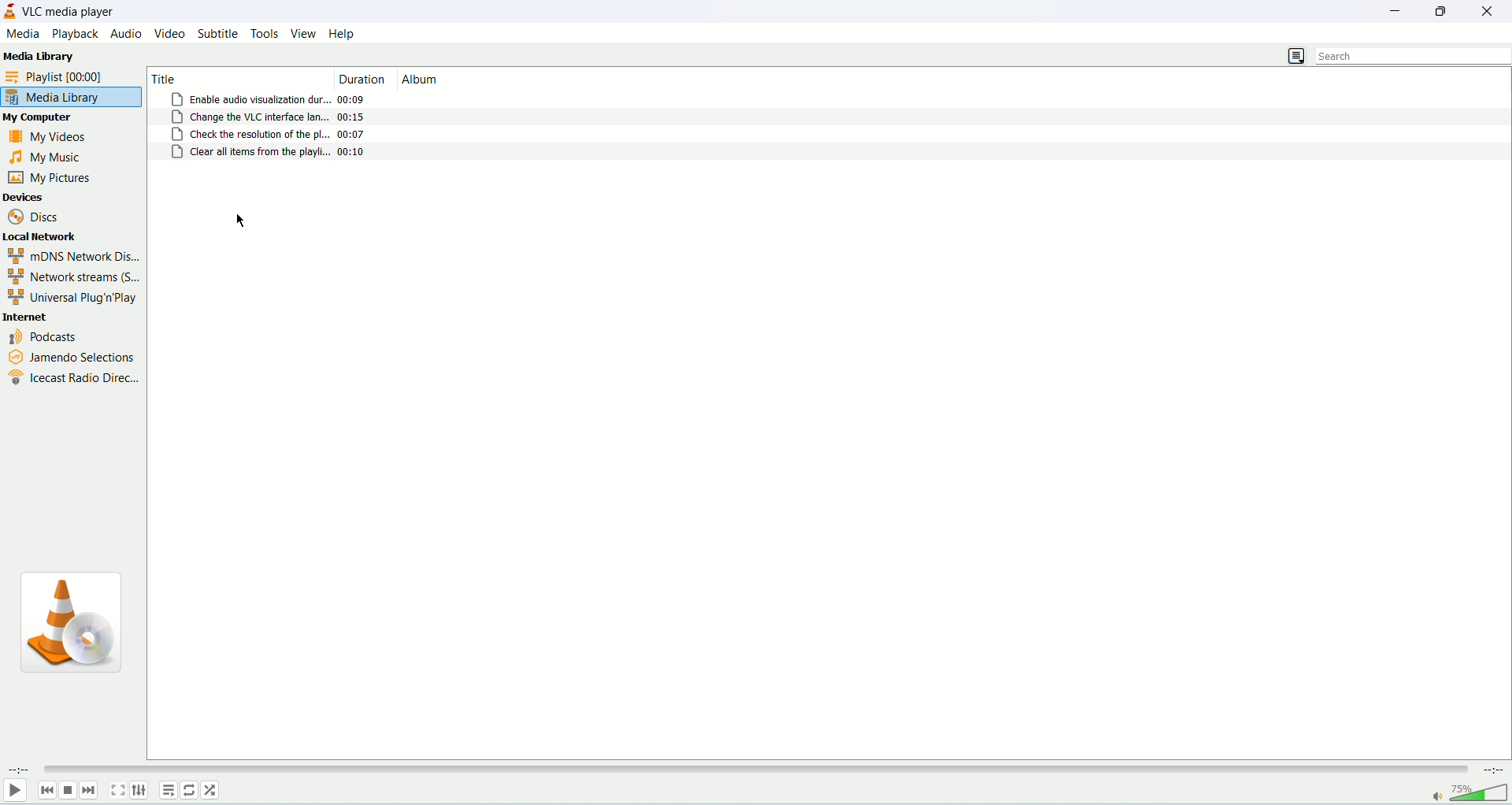  I want to click on network streams, so click(75, 275).